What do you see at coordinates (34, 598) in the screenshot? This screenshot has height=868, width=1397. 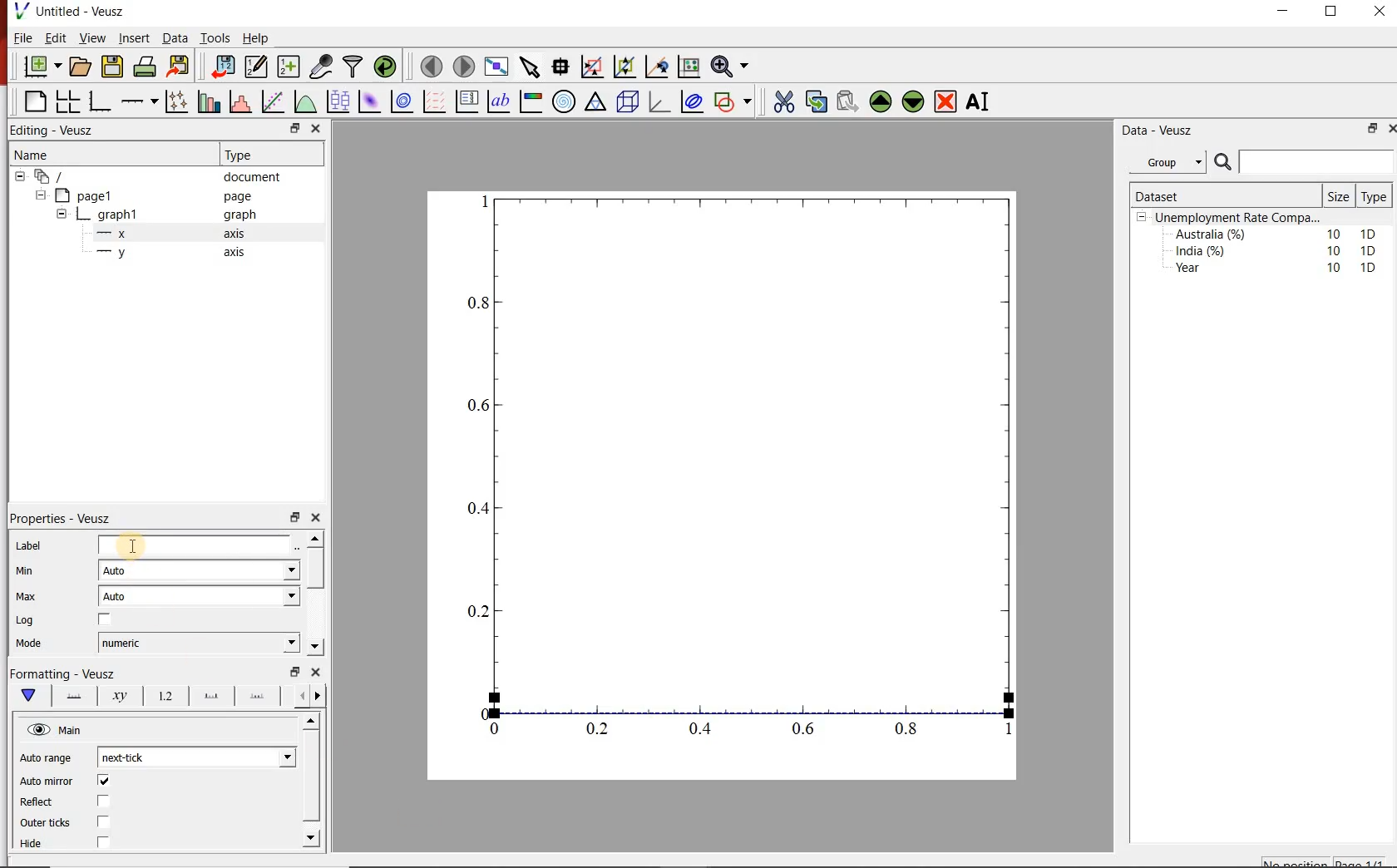 I see `Max` at bounding box center [34, 598].